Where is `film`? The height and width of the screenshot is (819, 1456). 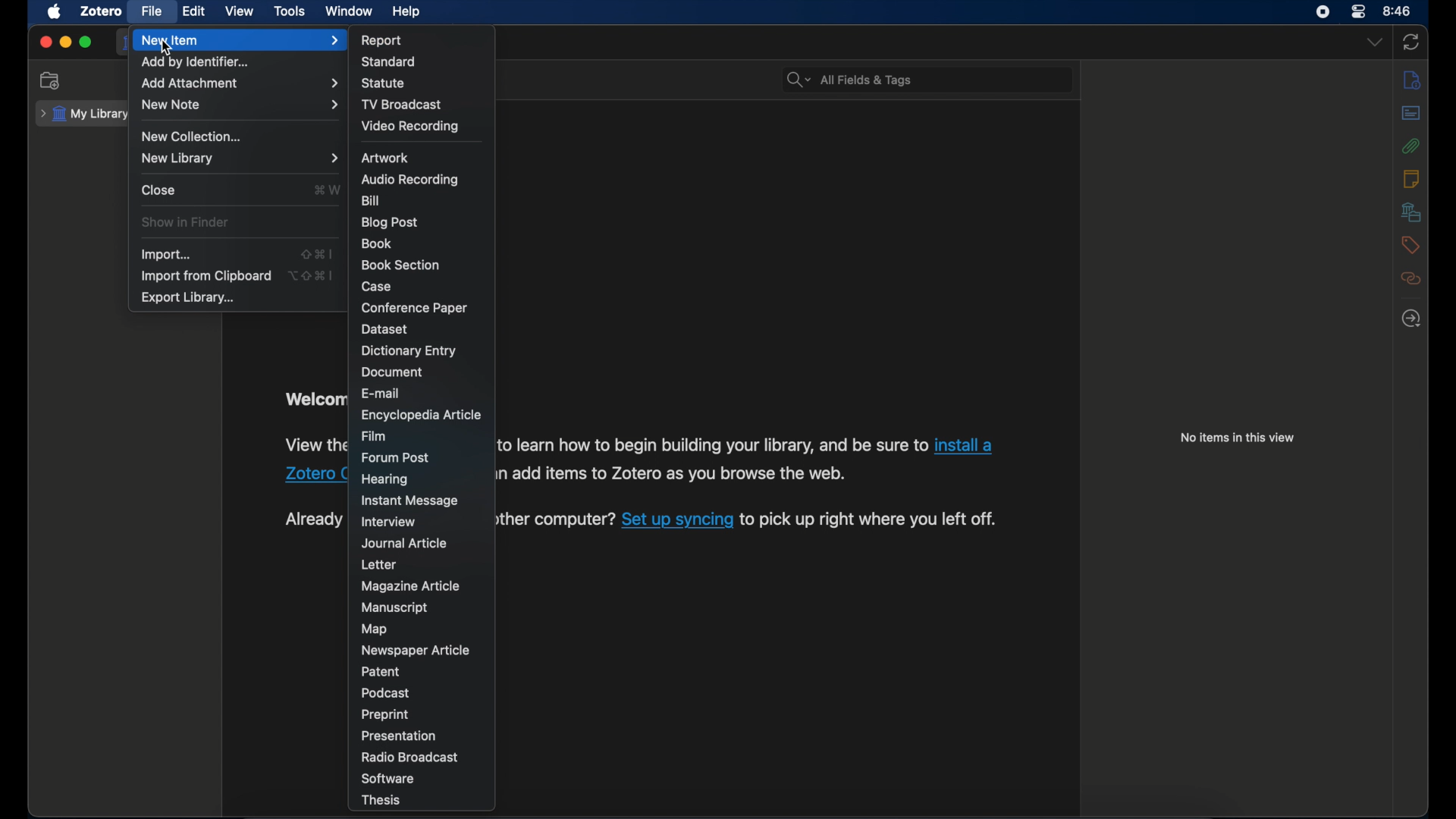 film is located at coordinates (374, 435).